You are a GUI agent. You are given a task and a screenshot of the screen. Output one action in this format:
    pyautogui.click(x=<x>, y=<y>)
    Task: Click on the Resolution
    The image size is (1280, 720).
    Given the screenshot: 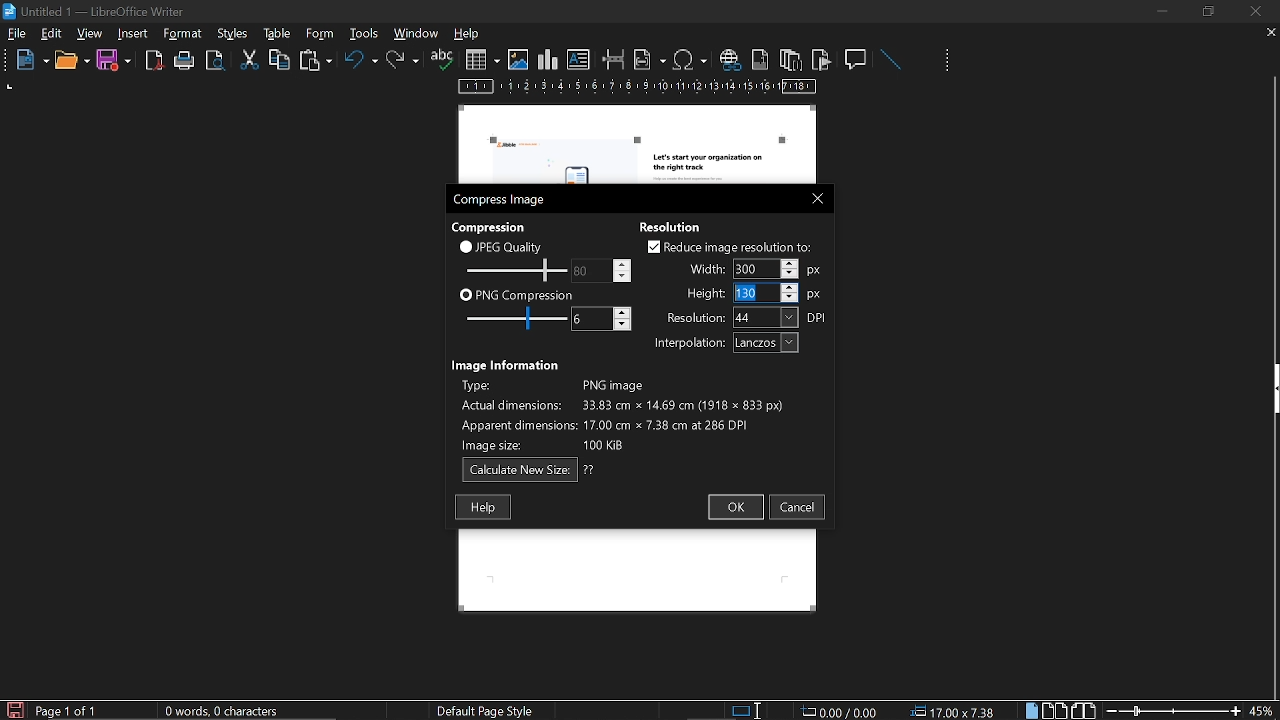 What is the action you would take?
    pyautogui.click(x=677, y=225)
    